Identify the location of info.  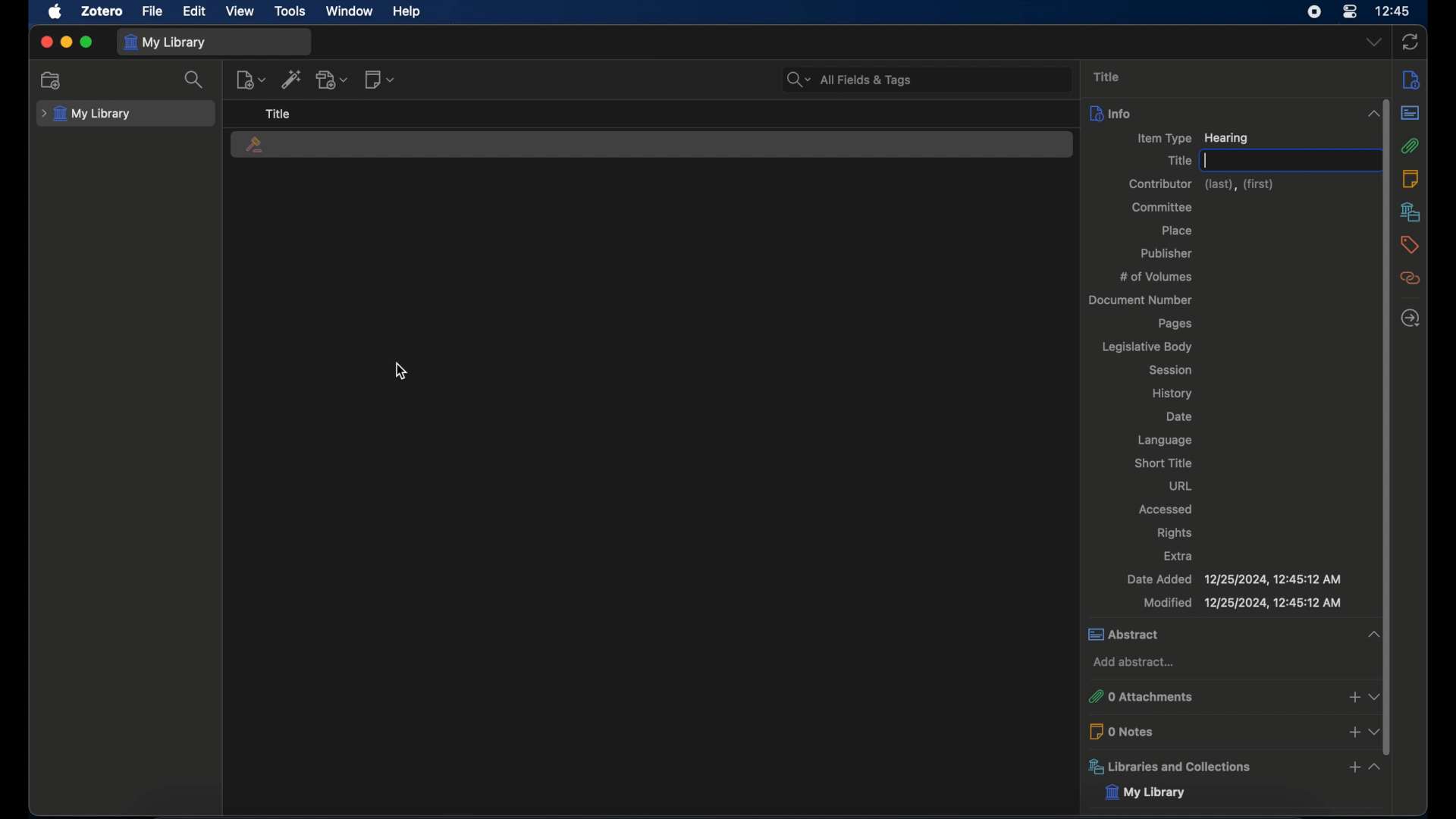
(1412, 80).